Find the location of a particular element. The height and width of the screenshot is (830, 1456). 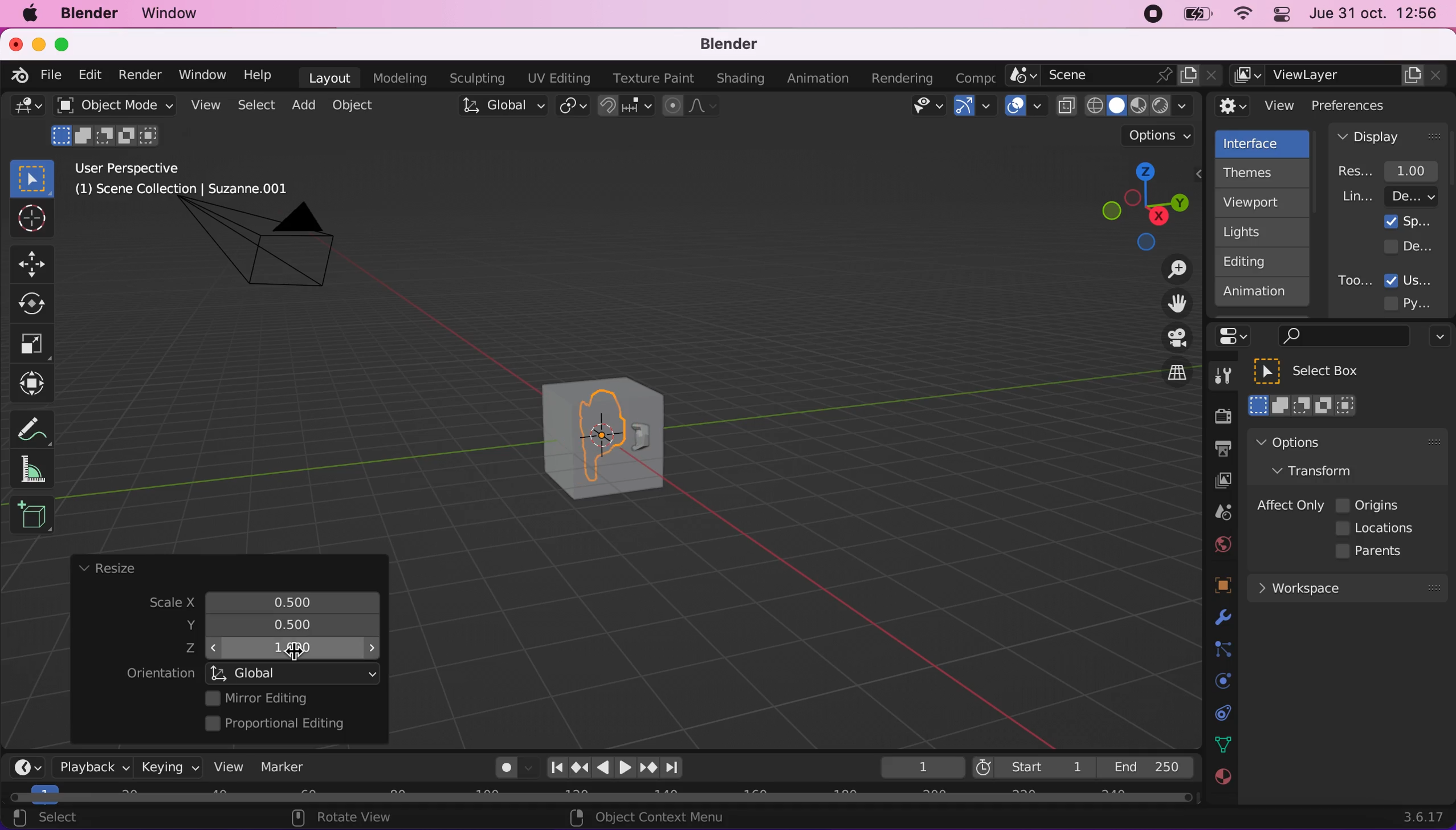

overlays is located at coordinates (1026, 107).